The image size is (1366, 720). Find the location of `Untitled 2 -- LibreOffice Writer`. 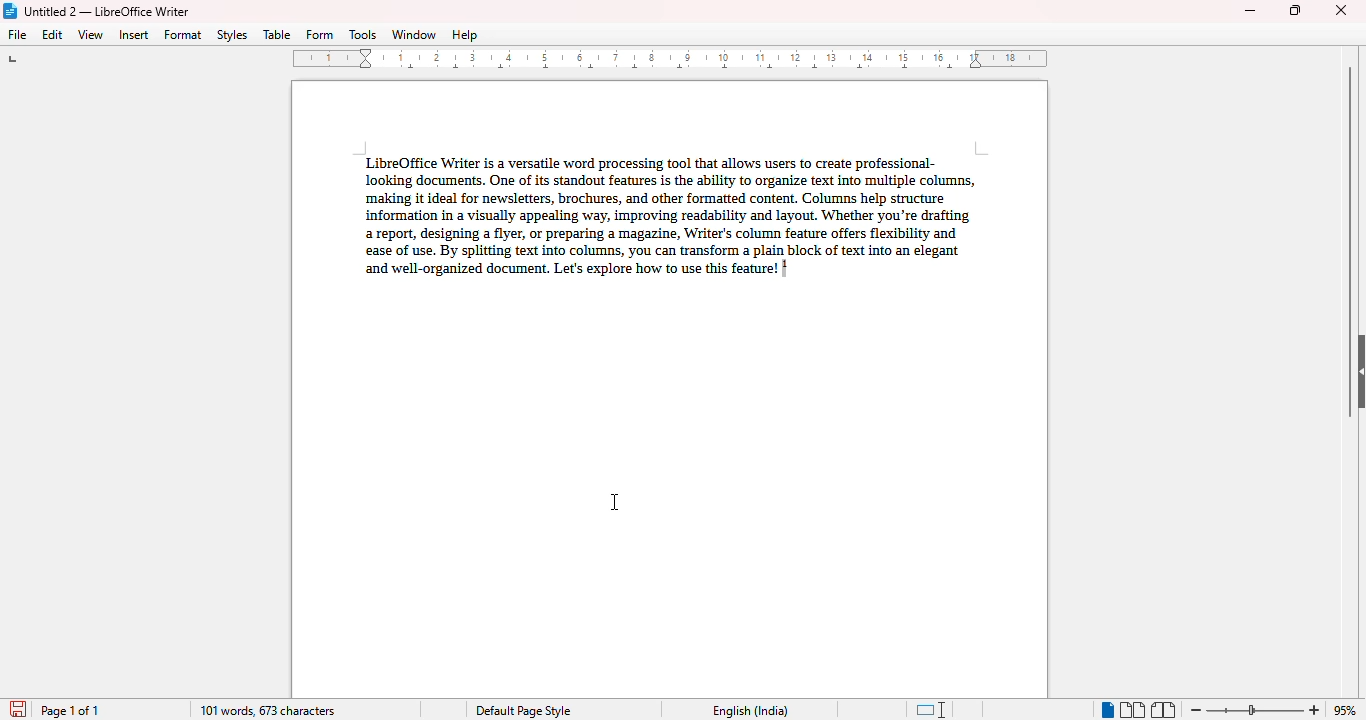

Untitled 2 -- LibreOffice Writer is located at coordinates (109, 11).